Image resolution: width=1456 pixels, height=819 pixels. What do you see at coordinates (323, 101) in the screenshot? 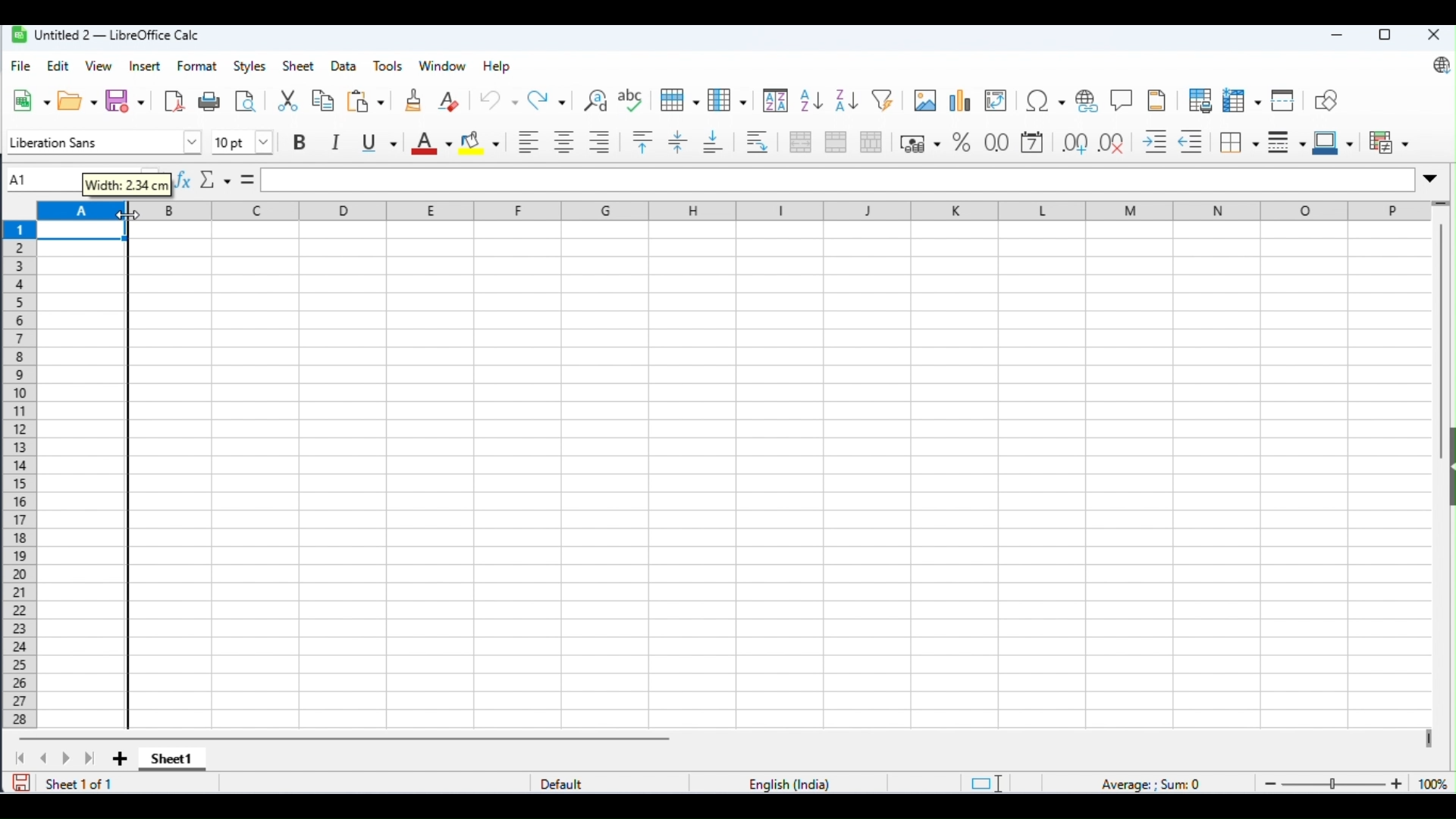
I see `copy` at bounding box center [323, 101].